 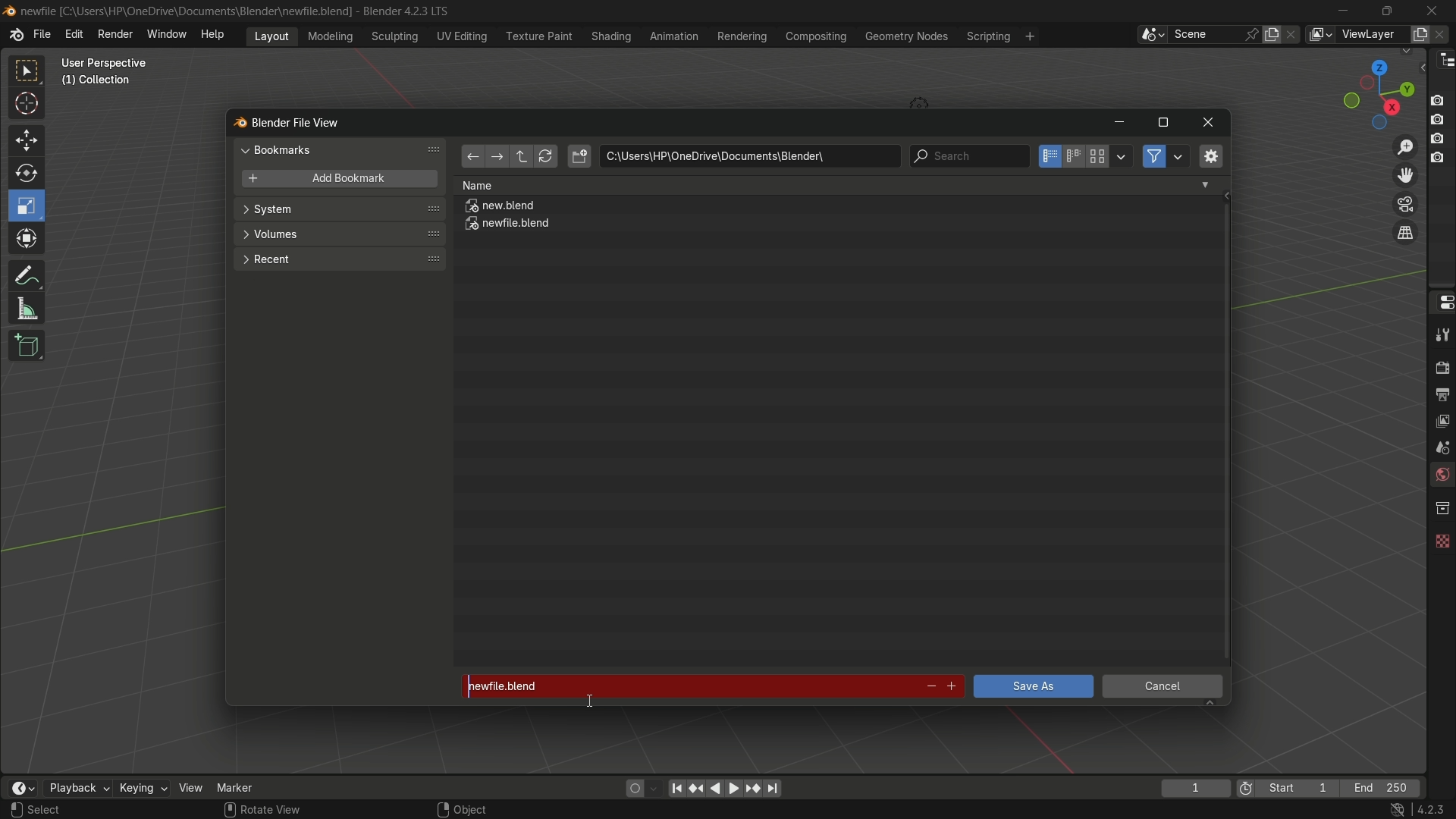 I want to click on minimize, so click(x=1344, y=11).